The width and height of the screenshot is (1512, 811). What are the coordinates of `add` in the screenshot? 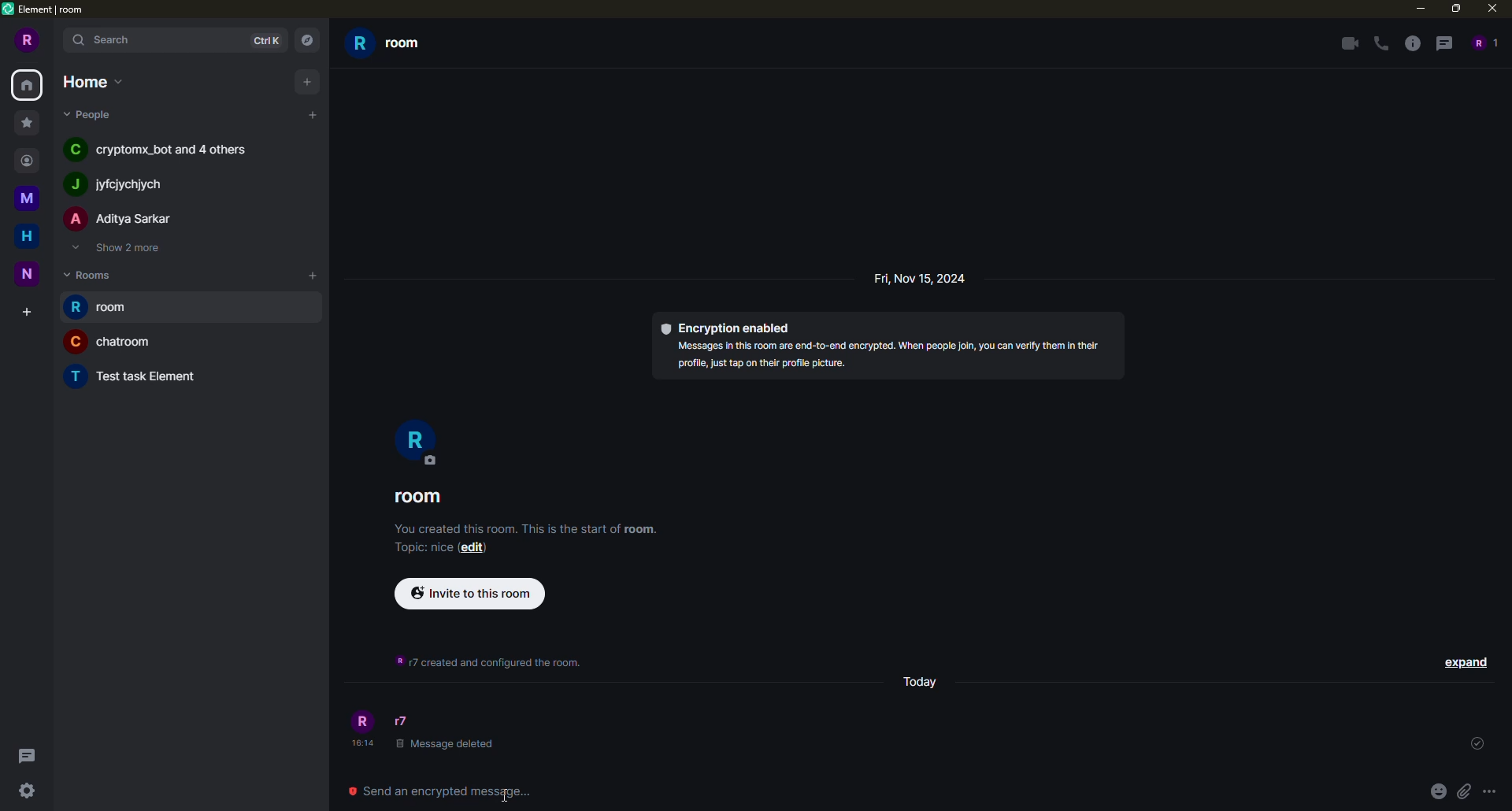 It's located at (309, 275).